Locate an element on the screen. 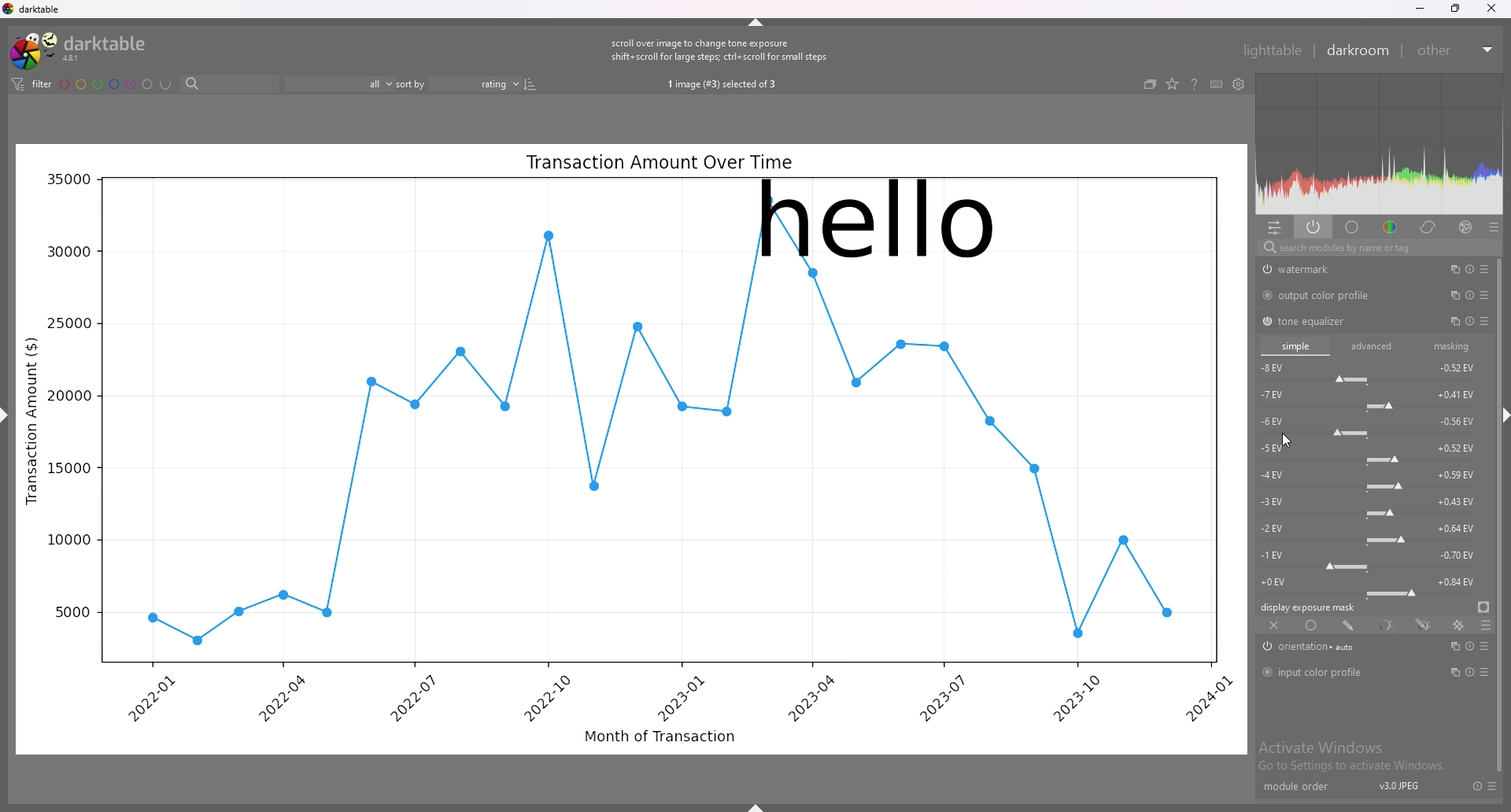 Image resolution: width=1511 pixels, height=812 pixels. presets is located at coordinates (1493, 227).